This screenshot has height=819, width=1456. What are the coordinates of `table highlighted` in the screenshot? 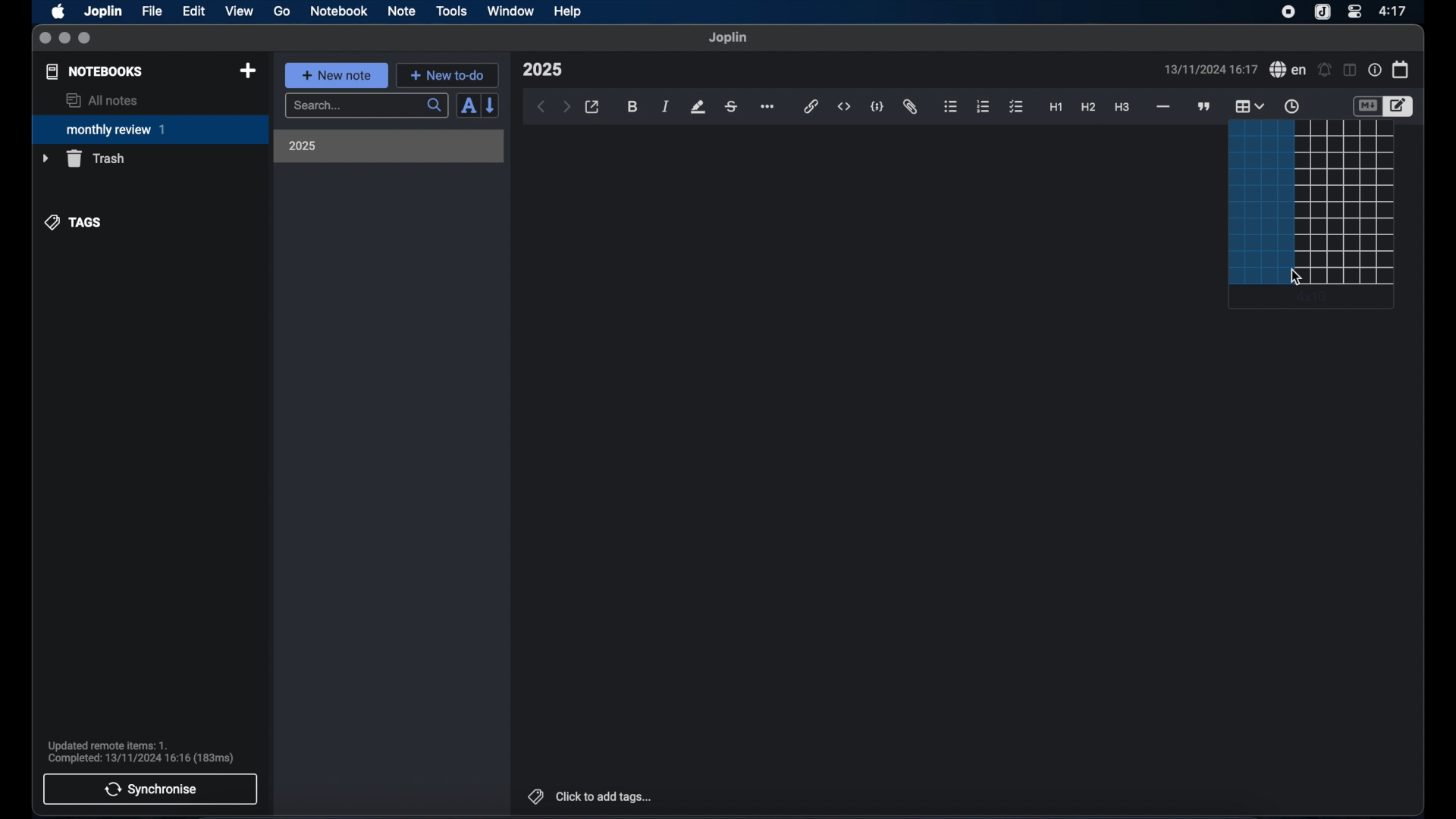 It's located at (1247, 106).